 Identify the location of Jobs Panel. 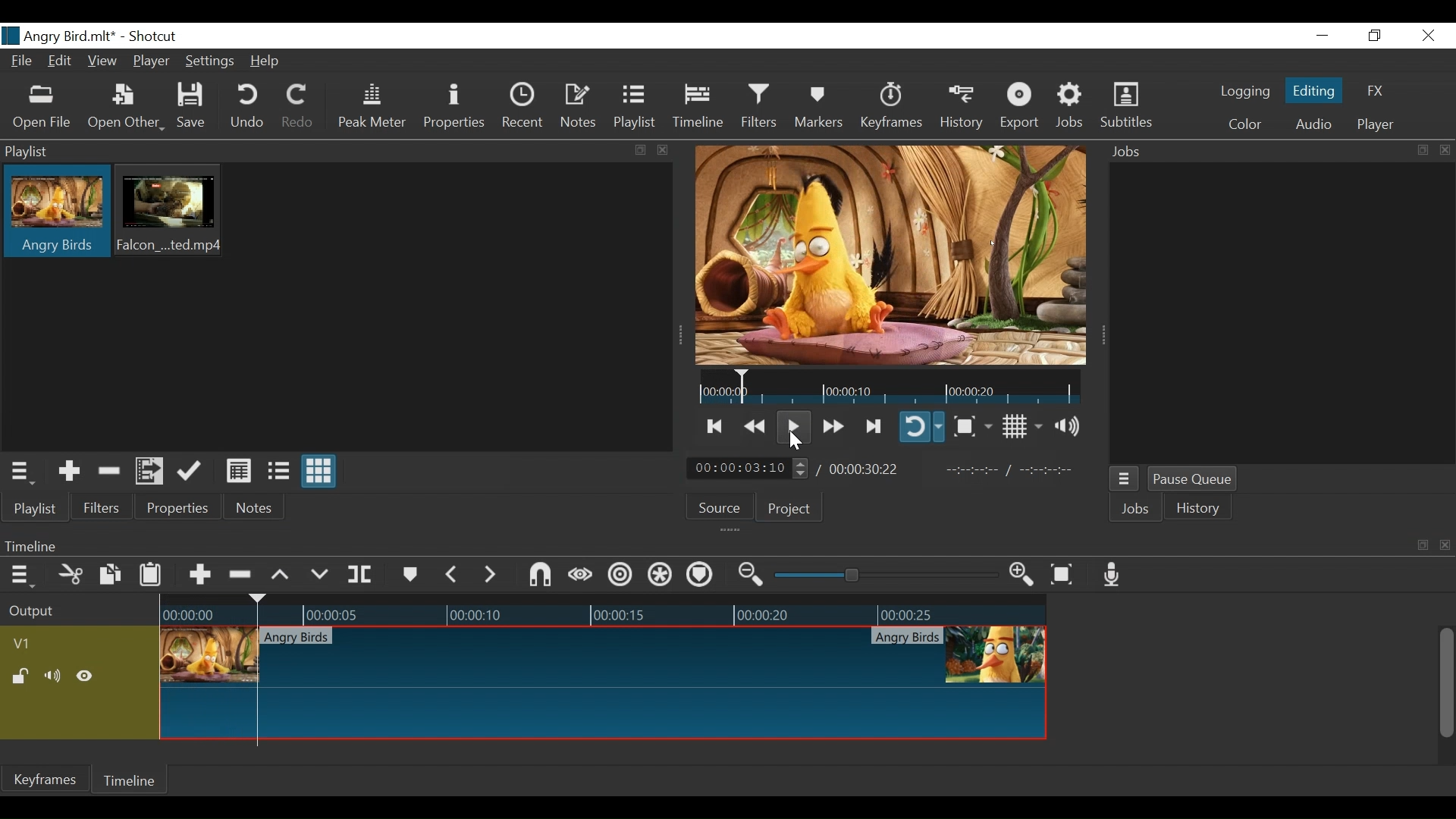
(1281, 313).